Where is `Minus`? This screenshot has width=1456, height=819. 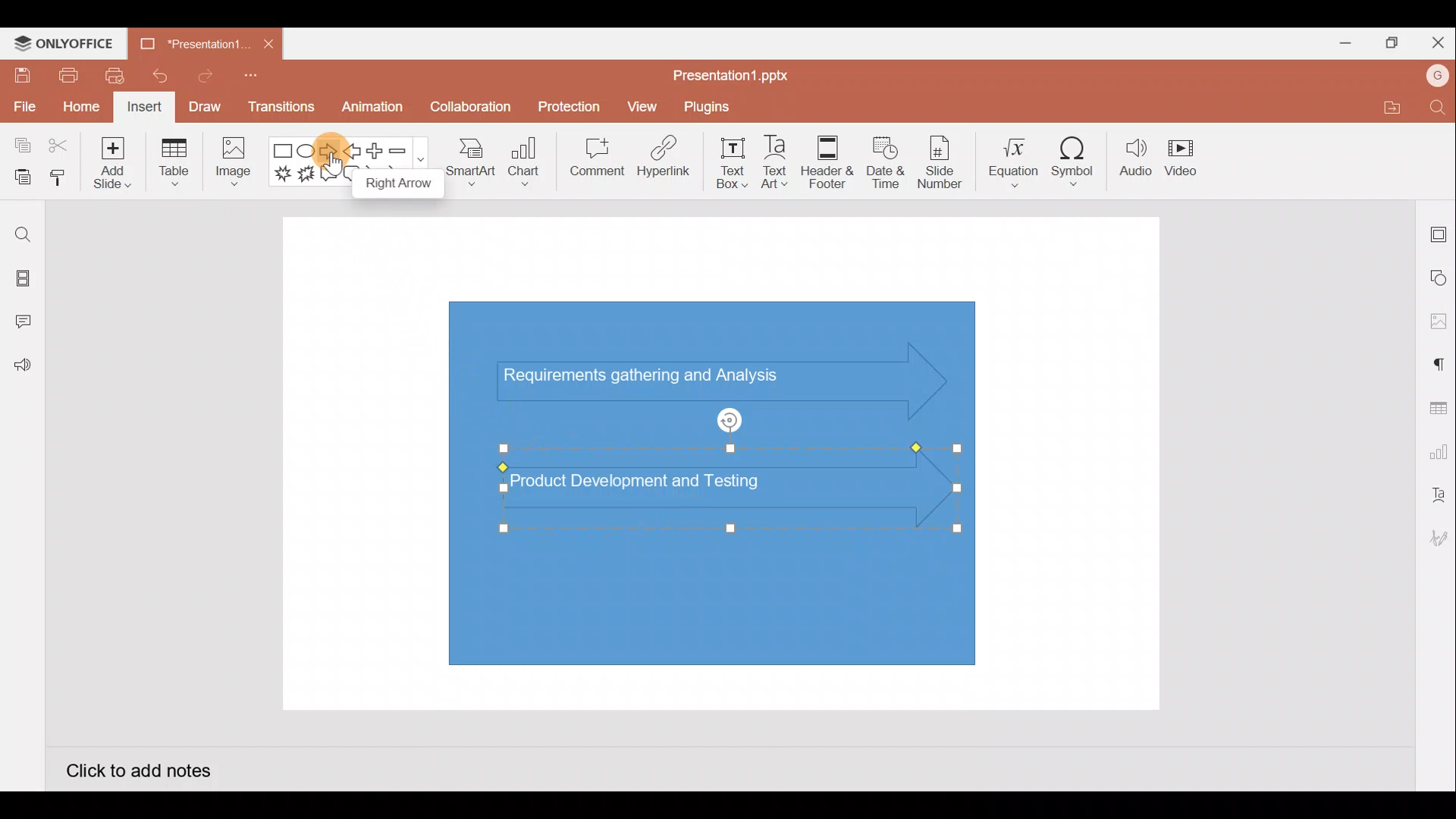
Minus is located at coordinates (406, 150).